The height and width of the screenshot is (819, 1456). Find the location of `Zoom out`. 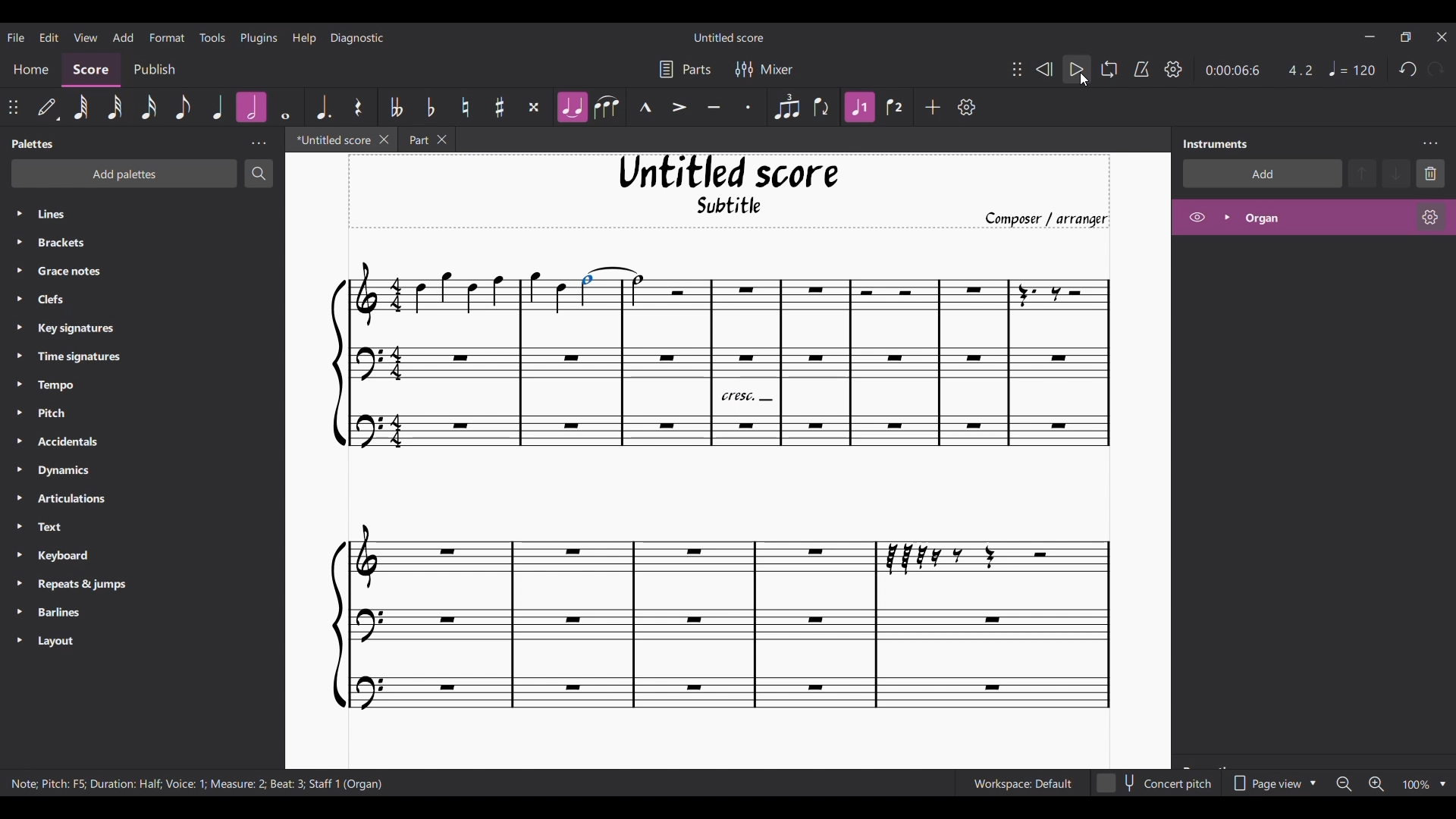

Zoom out is located at coordinates (1344, 784).